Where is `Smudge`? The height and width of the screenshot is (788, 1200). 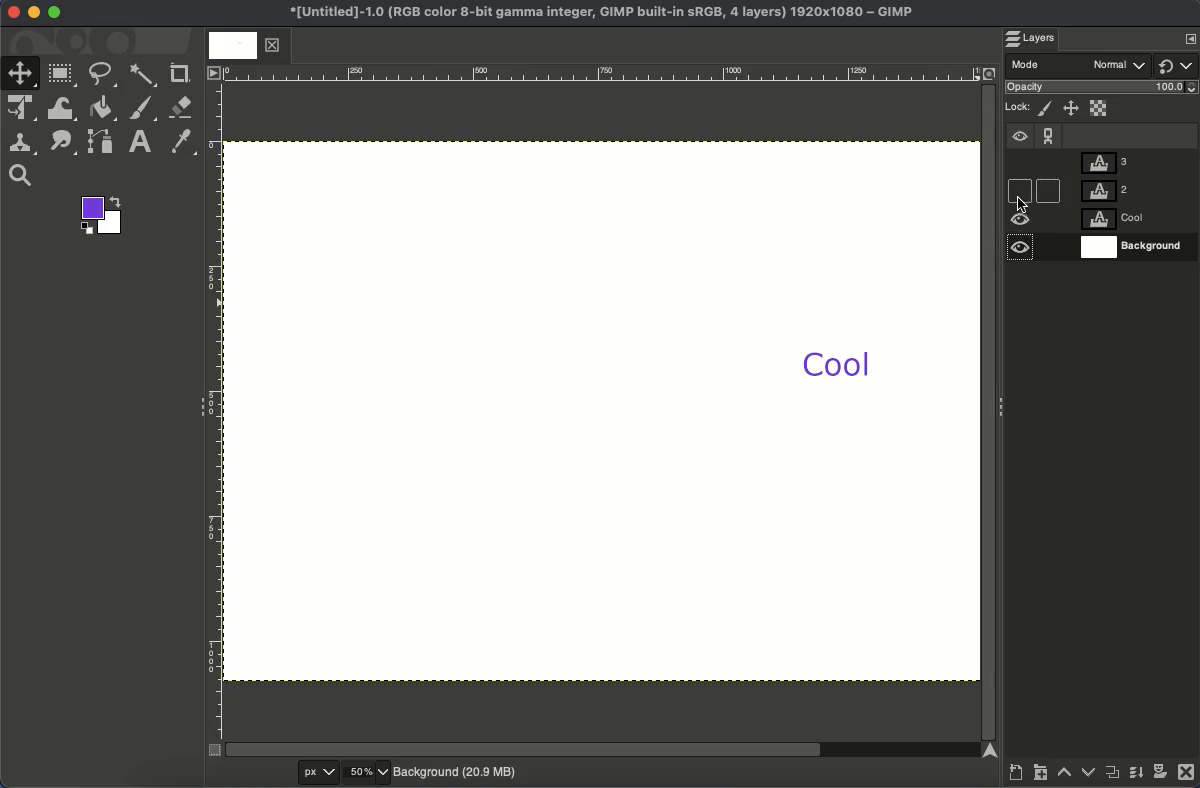
Smudge is located at coordinates (61, 143).